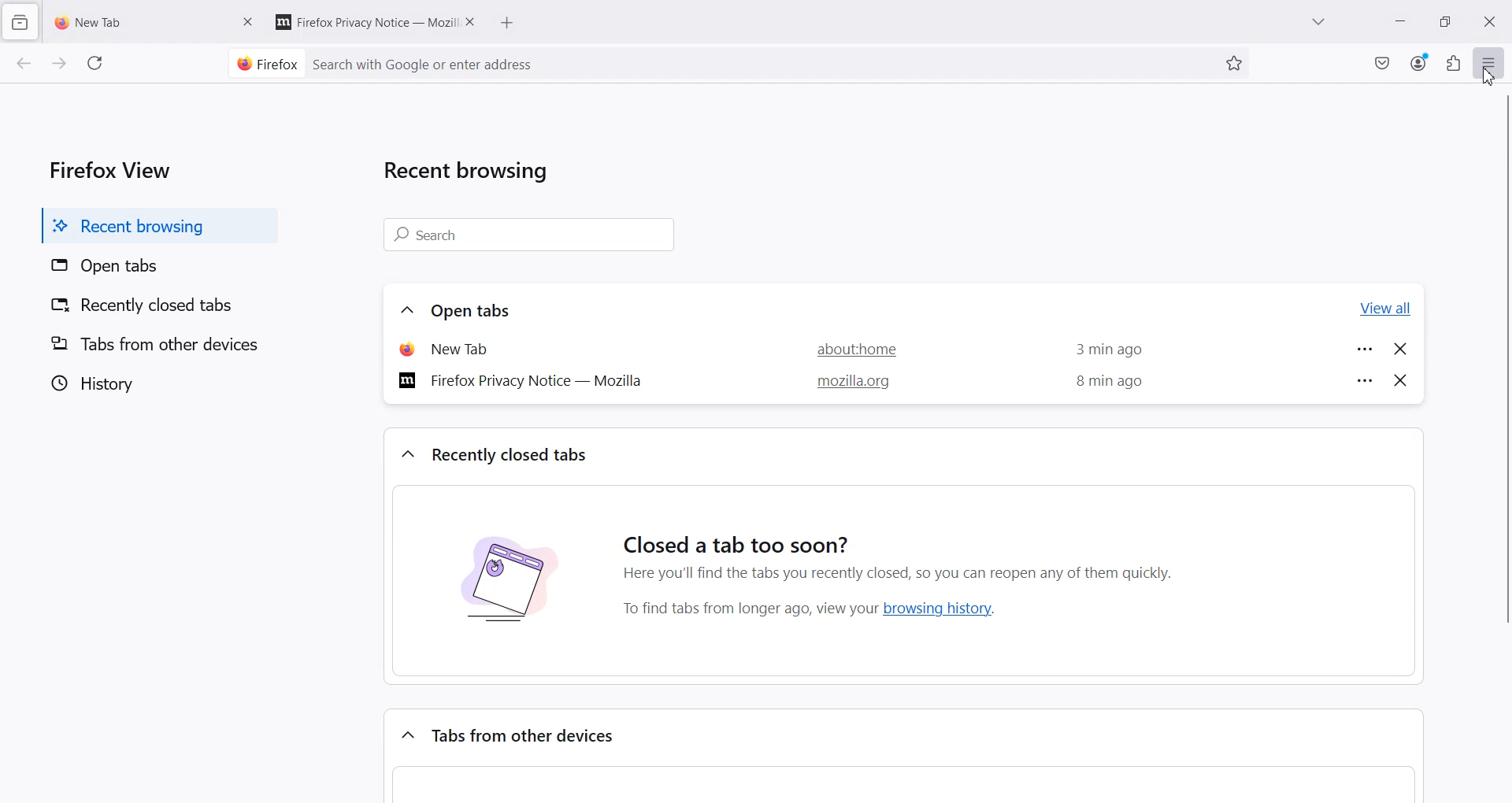  What do you see at coordinates (528, 736) in the screenshot?
I see `Tabs from other devices` at bounding box center [528, 736].